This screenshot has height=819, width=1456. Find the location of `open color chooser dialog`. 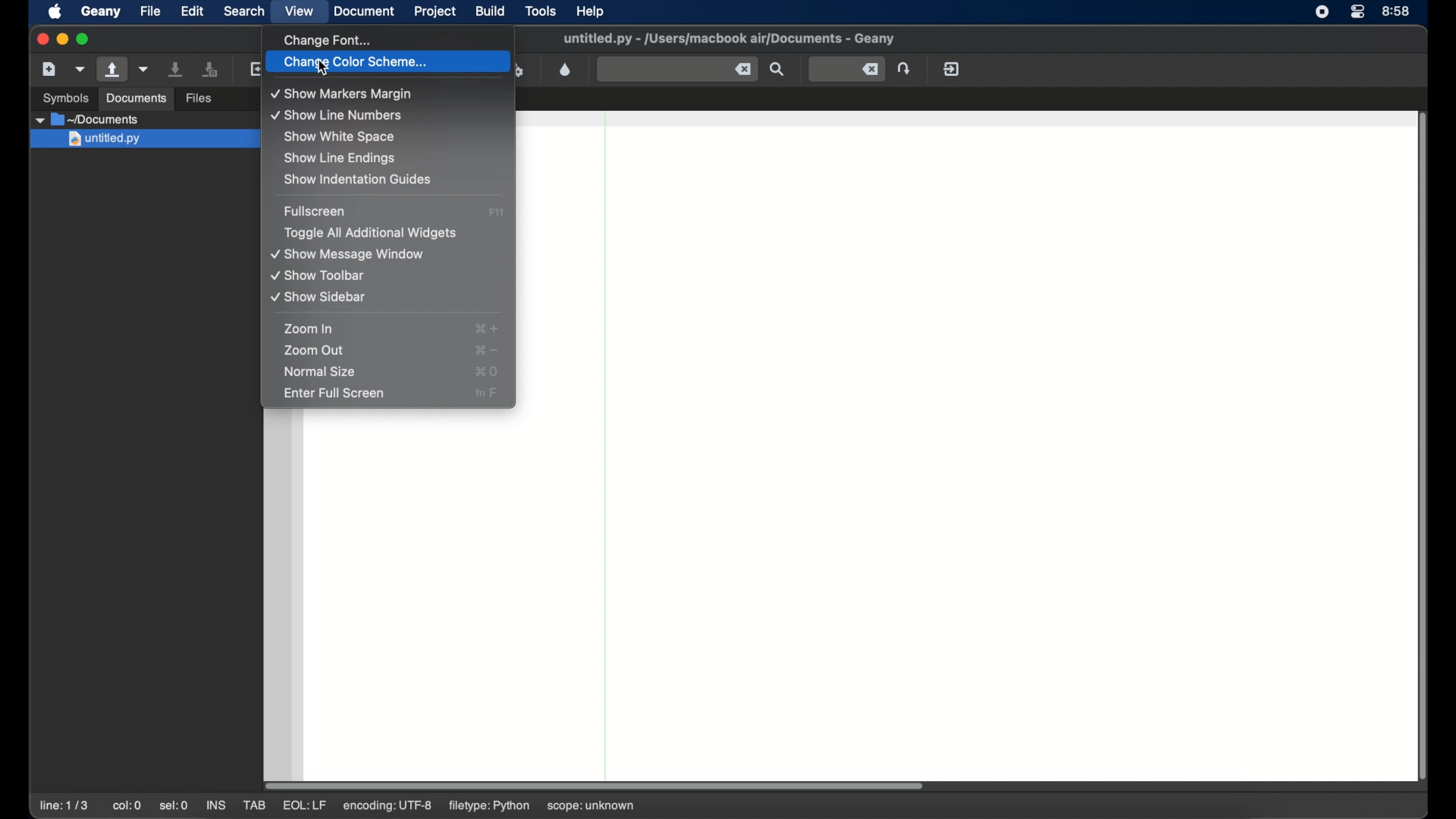

open color chooser dialog is located at coordinates (566, 69).